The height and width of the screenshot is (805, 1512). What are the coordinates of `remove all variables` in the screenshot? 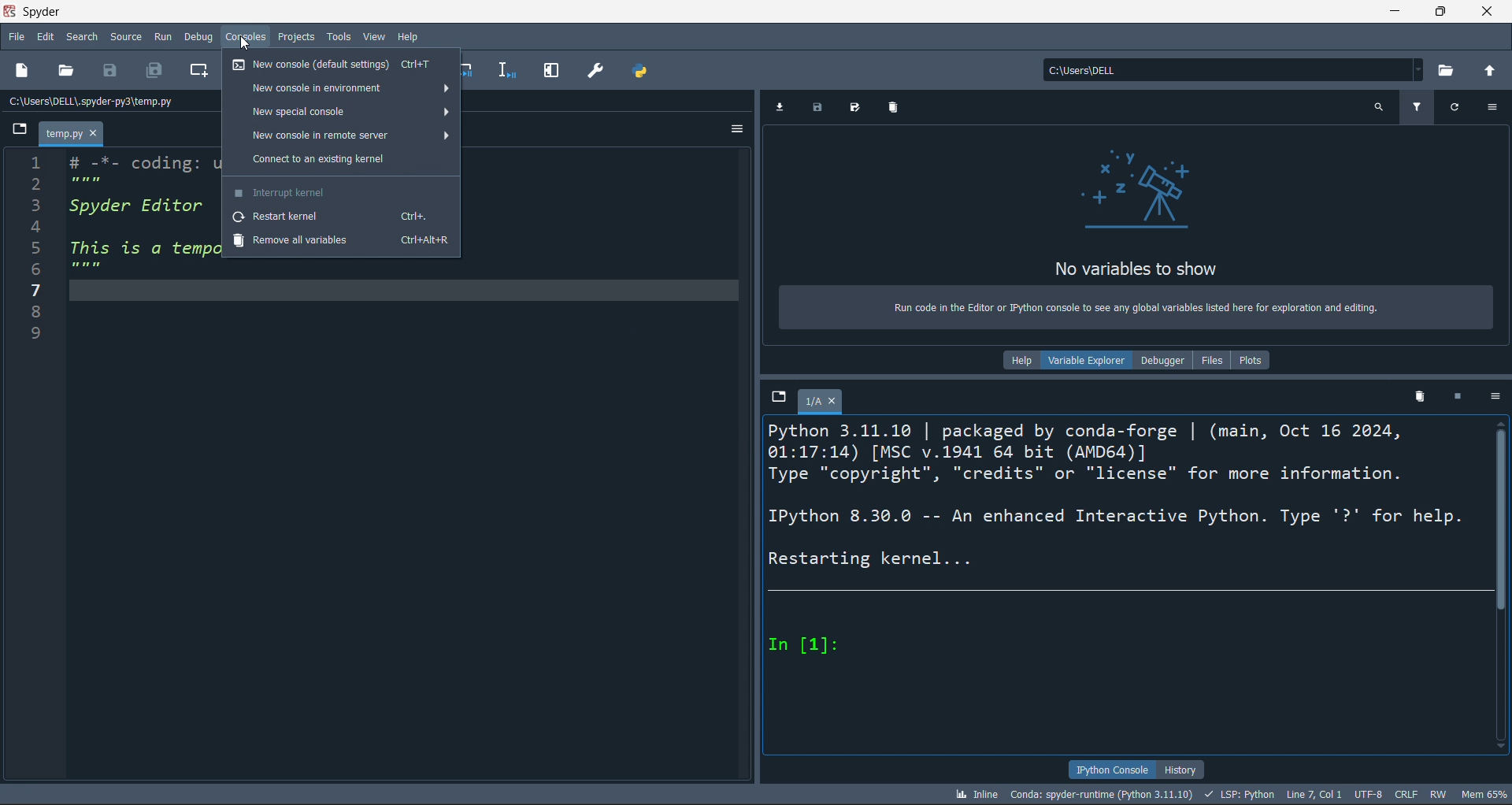 It's located at (339, 242).